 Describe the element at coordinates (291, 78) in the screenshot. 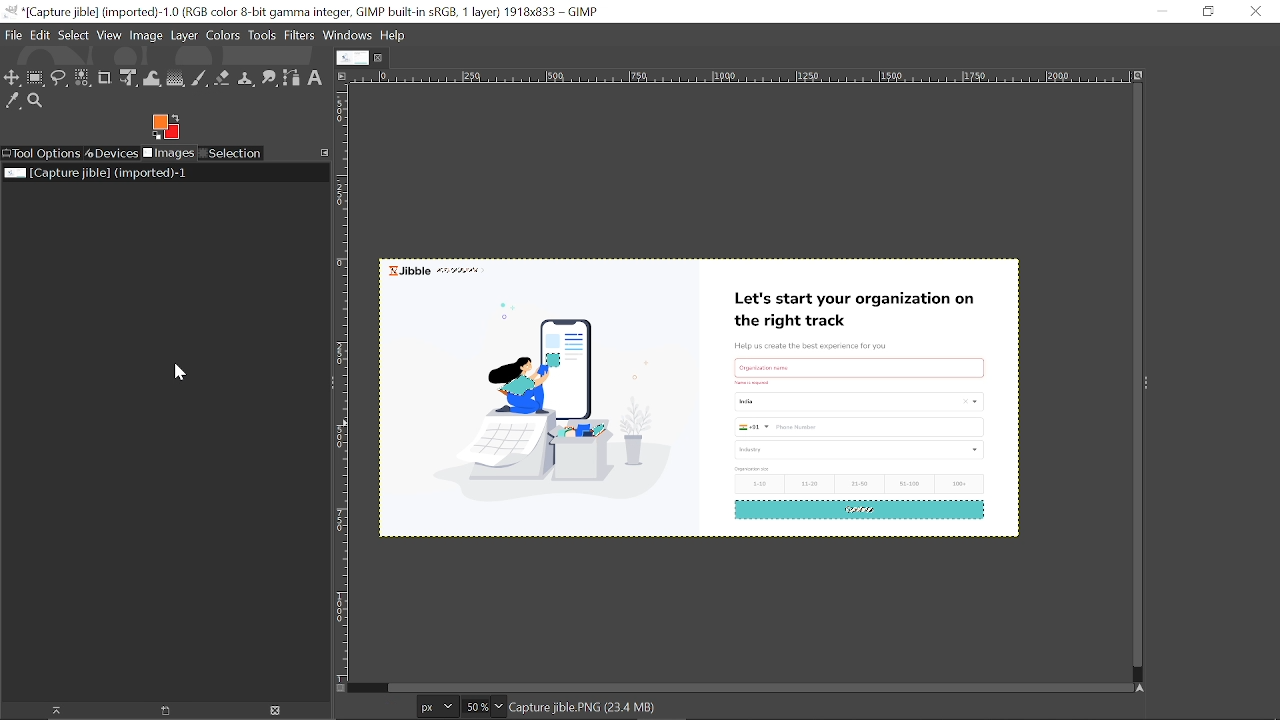

I see `Path tool` at that location.